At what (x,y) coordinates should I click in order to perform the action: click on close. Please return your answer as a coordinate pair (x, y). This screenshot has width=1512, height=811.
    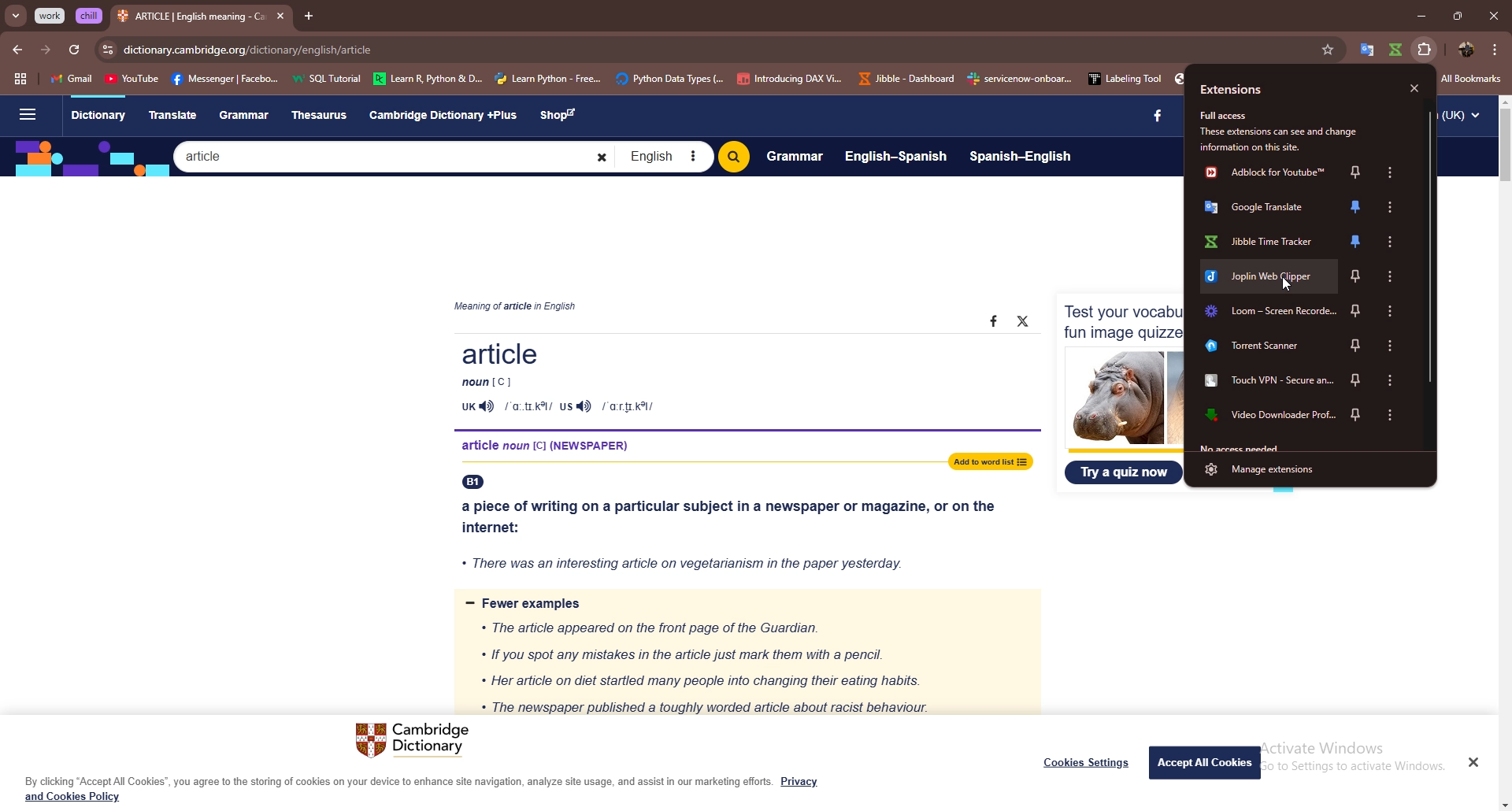
    Looking at the image, I should click on (1493, 15).